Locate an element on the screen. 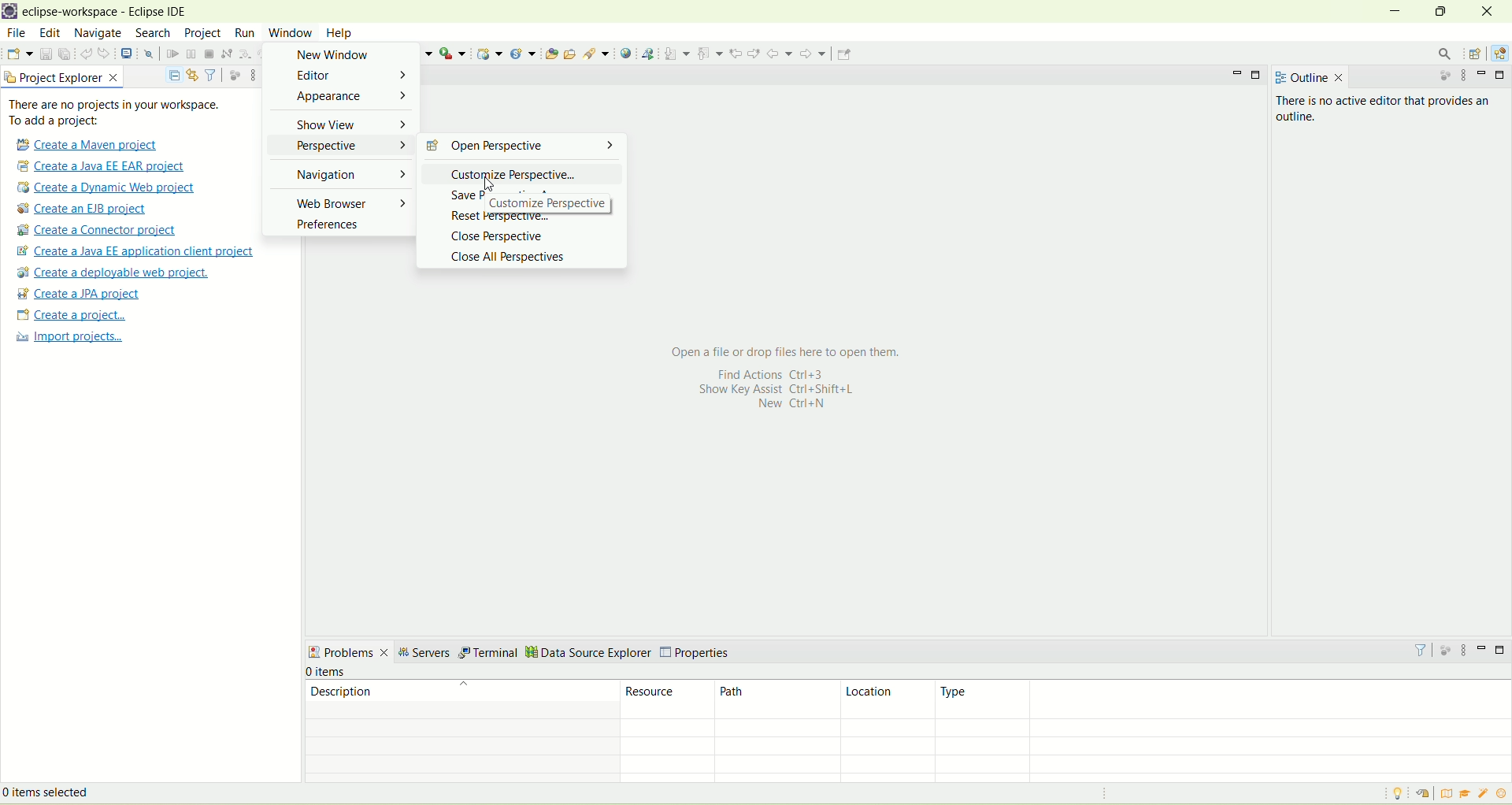  project is located at coordinates (202, 33).